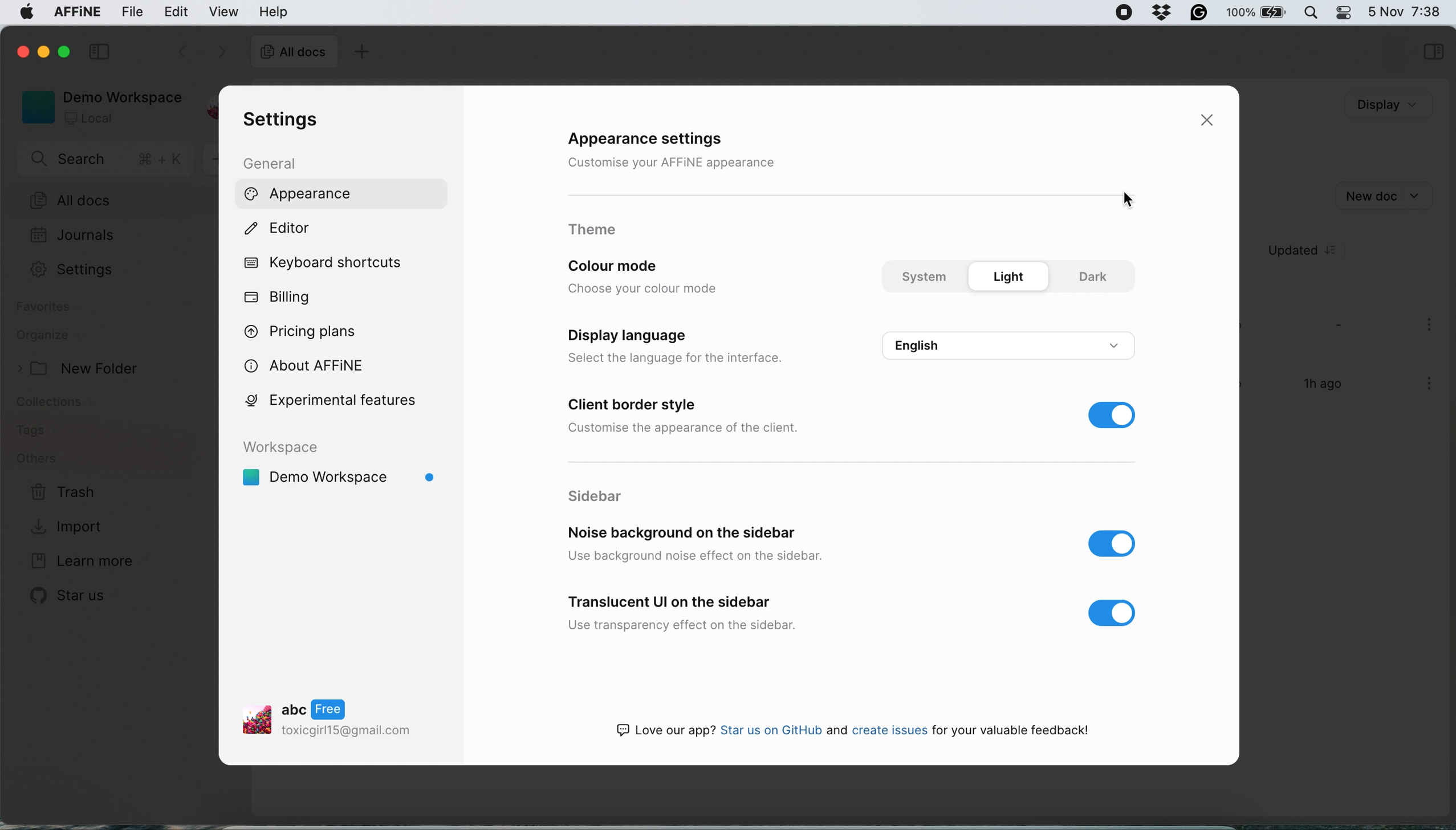 This screenshot has height=830, width=1456. Describe the element at coordinates (622, 267) in the screenshot. I see `colour mode` at that location.